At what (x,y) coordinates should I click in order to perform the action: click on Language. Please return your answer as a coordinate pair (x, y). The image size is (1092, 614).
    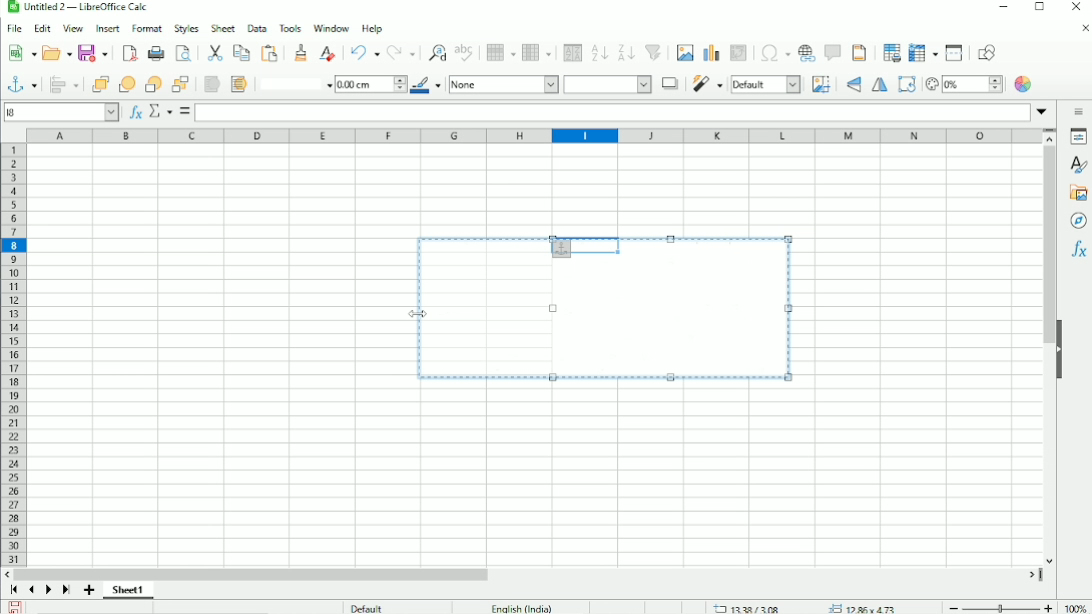
    Looking at the image, I should click on (522, 607).